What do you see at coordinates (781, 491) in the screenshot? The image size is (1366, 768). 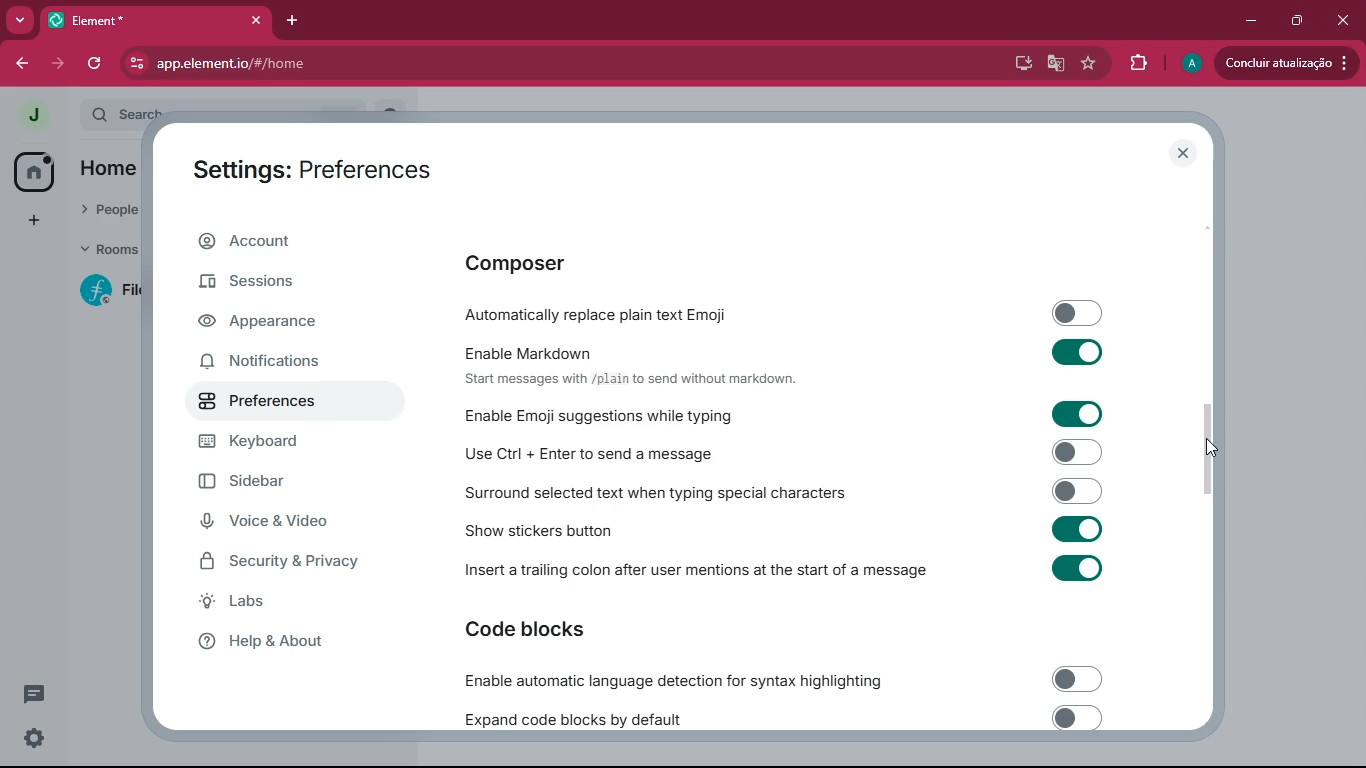 I see `Surround selected text when typing special characters` at bounding box center [781, 491].